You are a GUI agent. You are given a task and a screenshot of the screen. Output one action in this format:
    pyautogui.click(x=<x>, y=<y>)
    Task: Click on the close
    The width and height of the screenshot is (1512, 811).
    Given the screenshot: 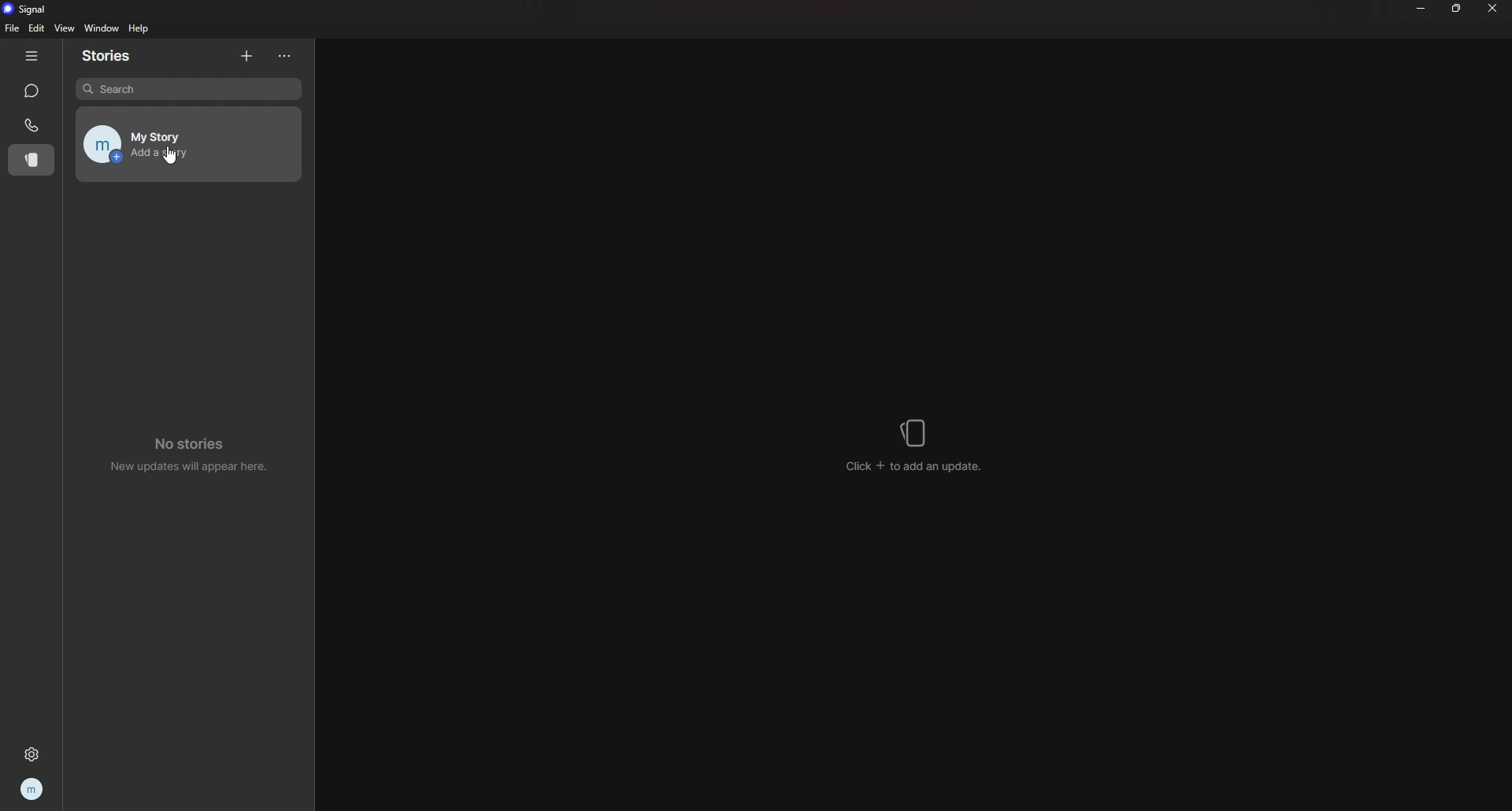 What is the action you would take?
    pyautogui.click(x=1493, y=8)
    